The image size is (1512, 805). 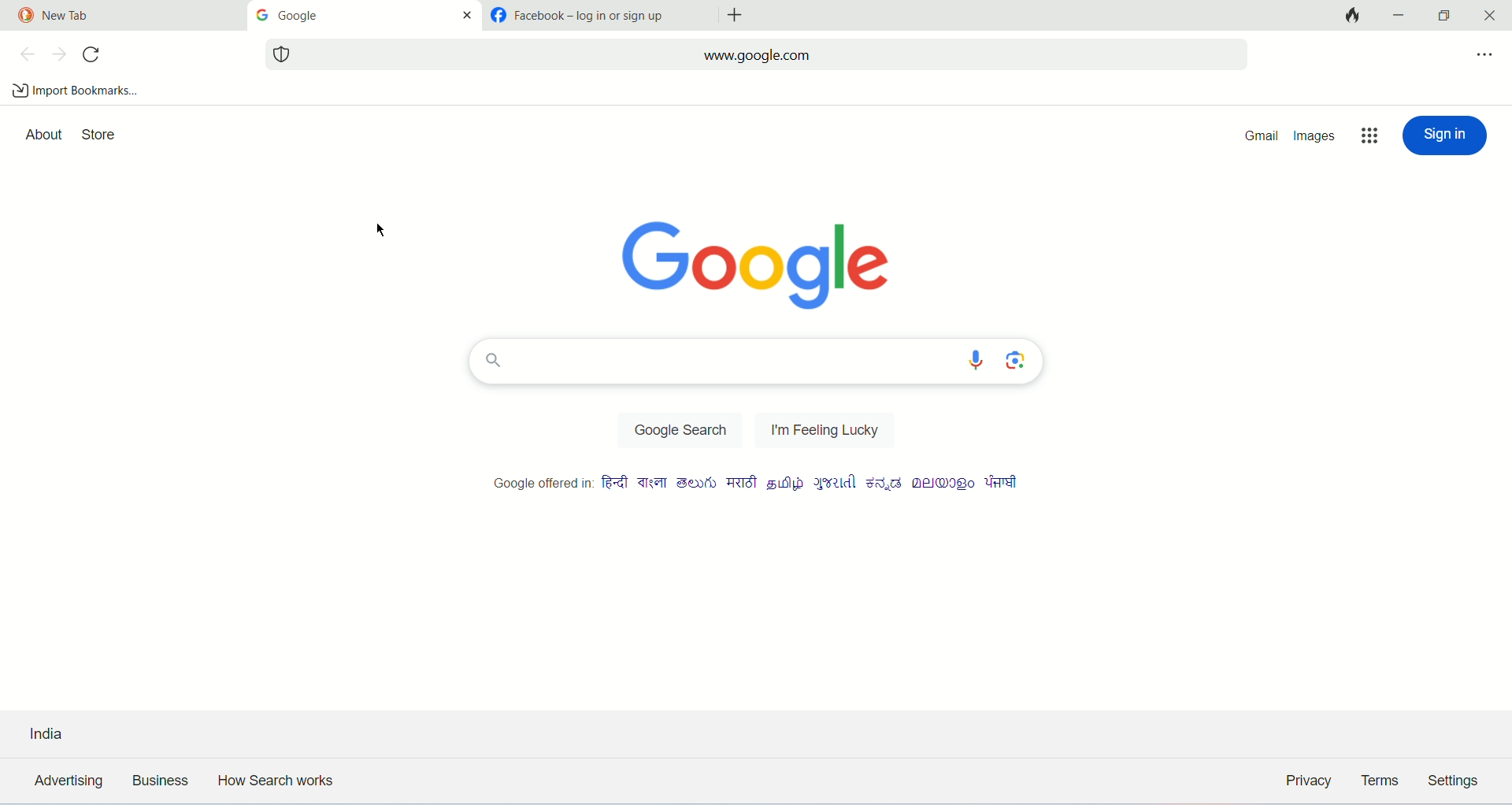 What do you see at coordinates (1372, 137) in the screenshot?
I see `more options` at bounding box center [1372, 137].